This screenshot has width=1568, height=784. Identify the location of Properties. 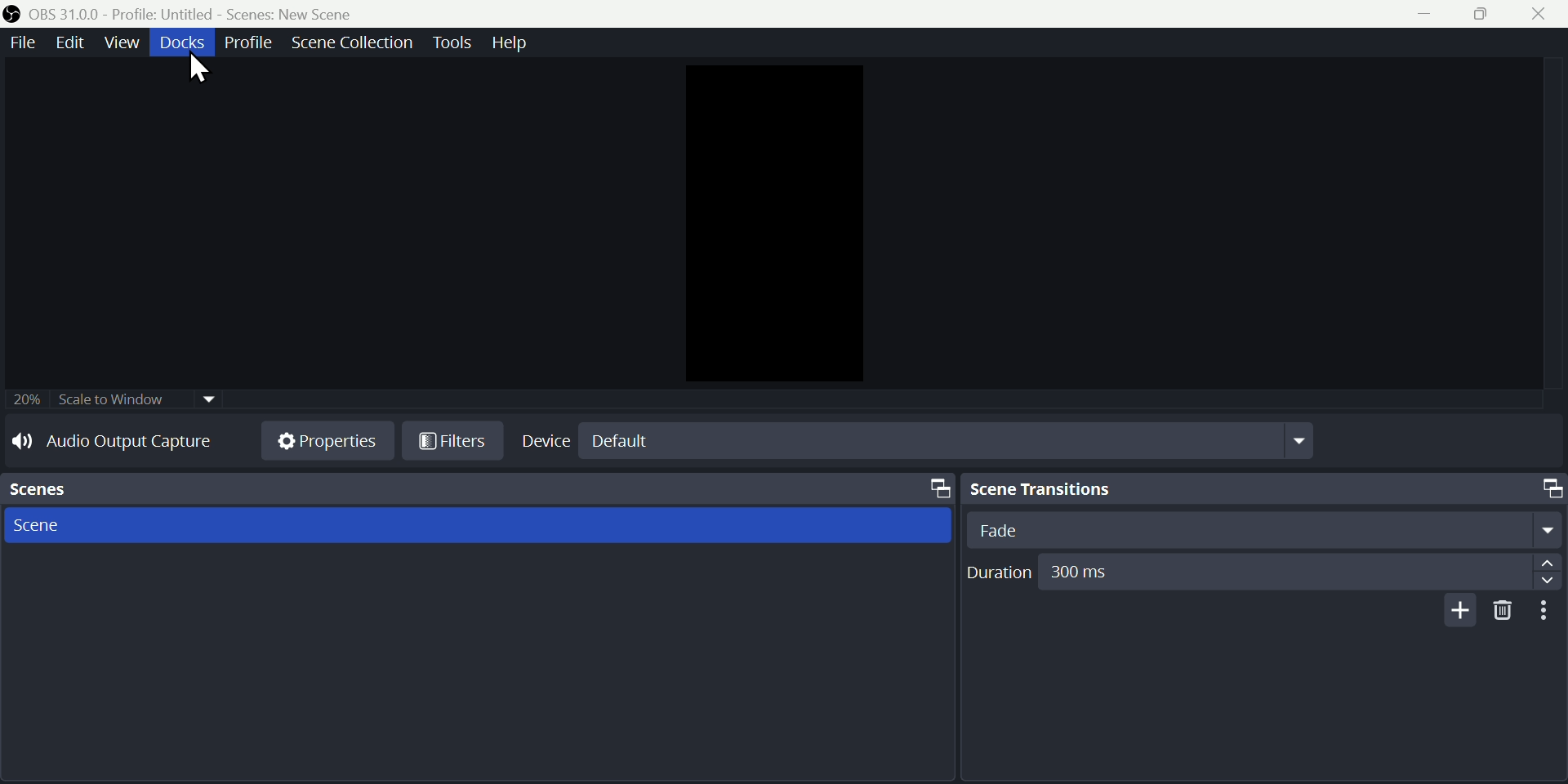
(334, 441).